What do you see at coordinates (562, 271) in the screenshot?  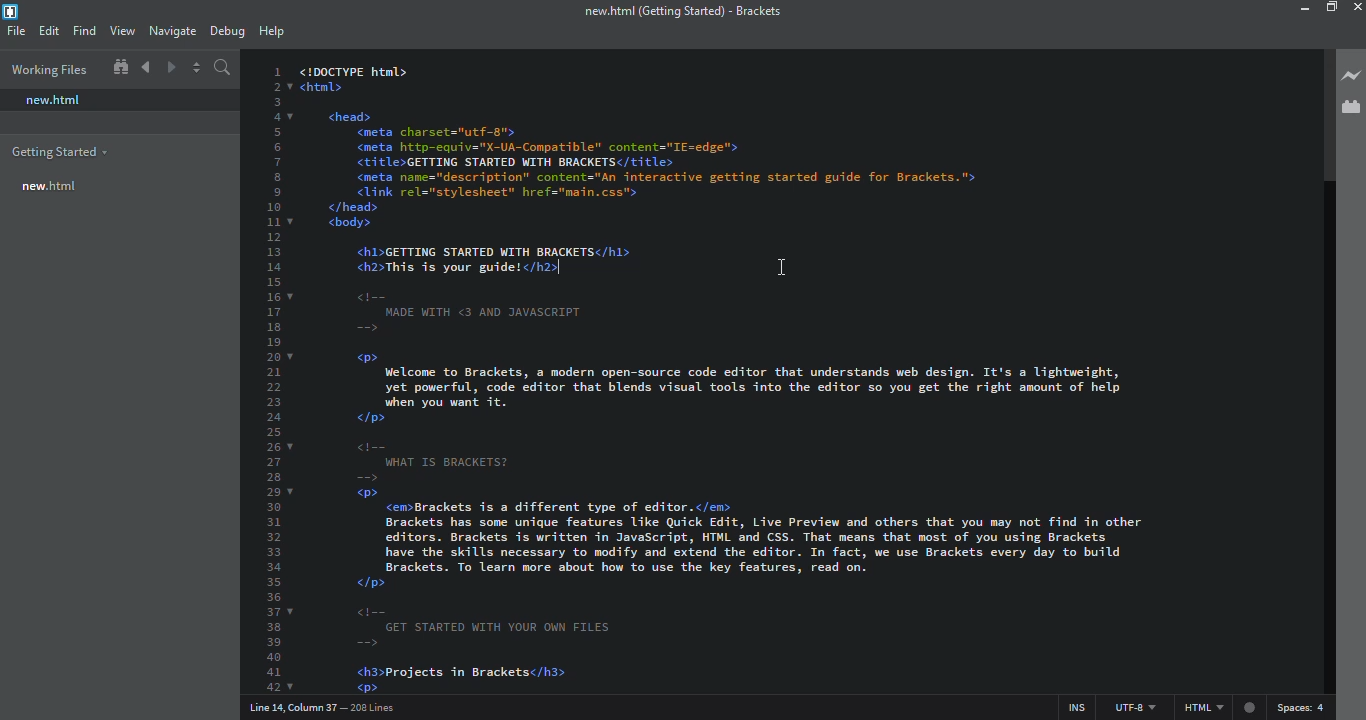 I see `cursor` at bounding box center [562, 271].